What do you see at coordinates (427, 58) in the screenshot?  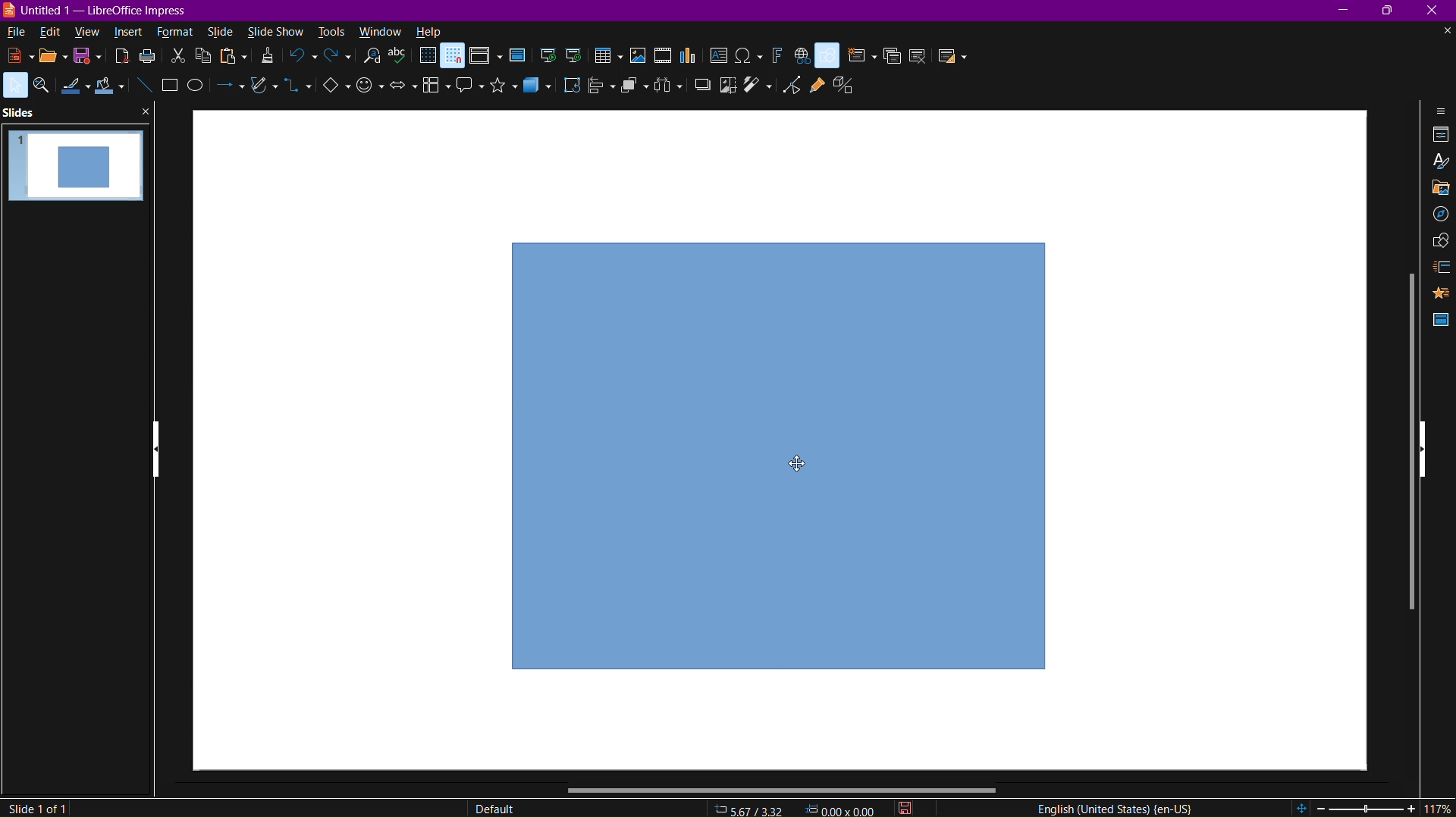 I see `Display Grid` at bounding box center [427, 58].